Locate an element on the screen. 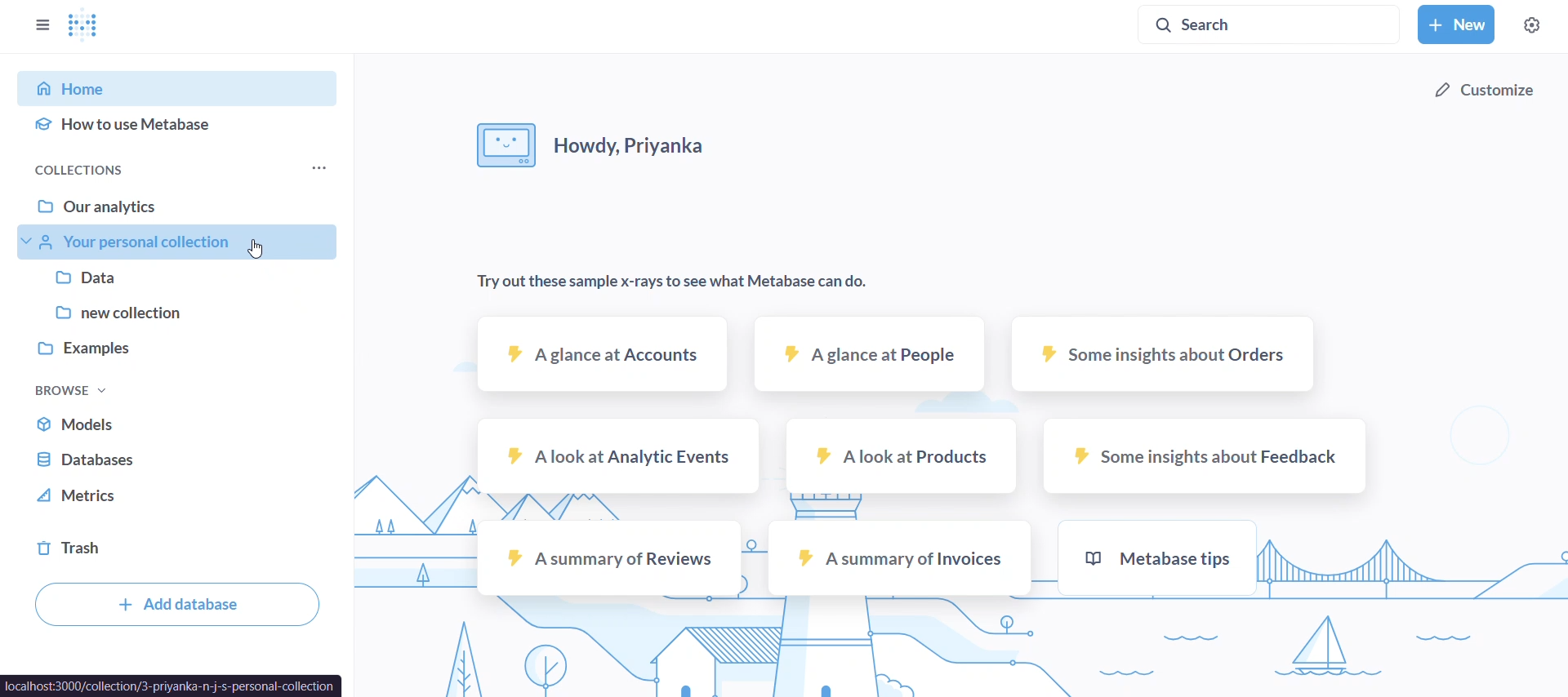  browse is located at coordinates (76, 392).